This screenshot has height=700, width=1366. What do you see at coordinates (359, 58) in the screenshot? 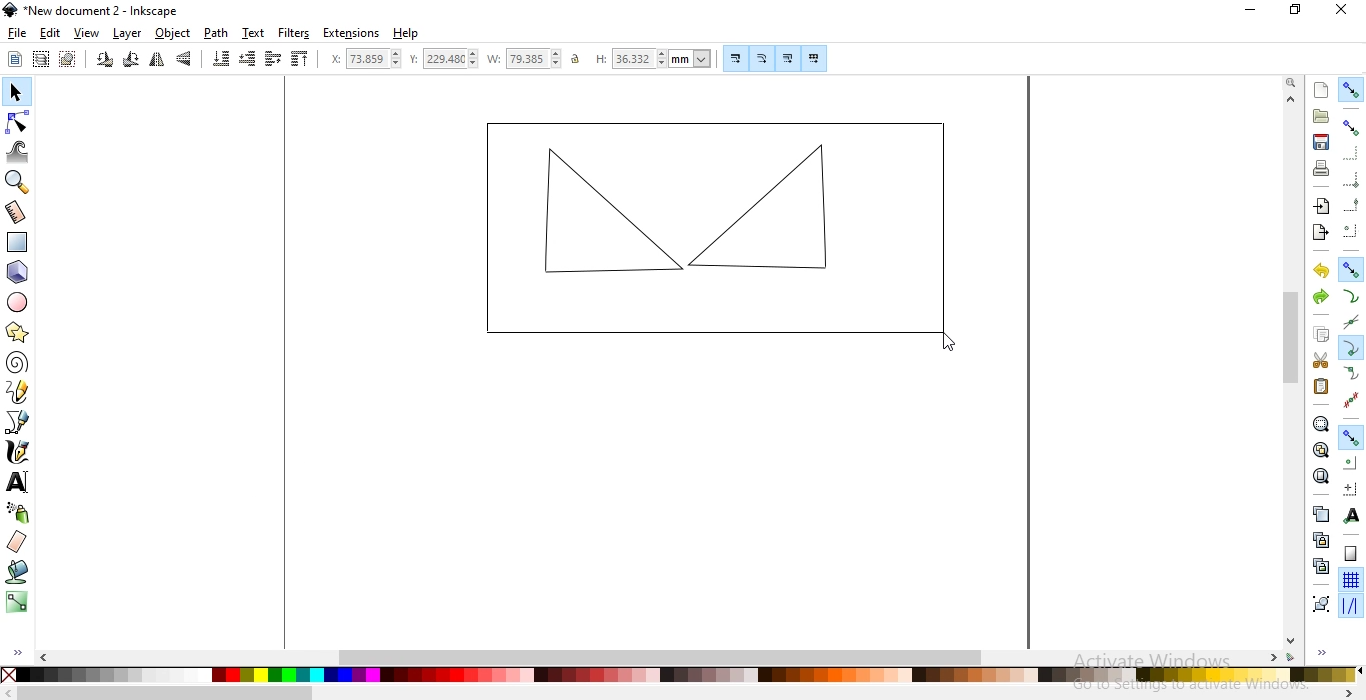
I see `horizontal coordinate of selection` at bounding box center [359, 58].